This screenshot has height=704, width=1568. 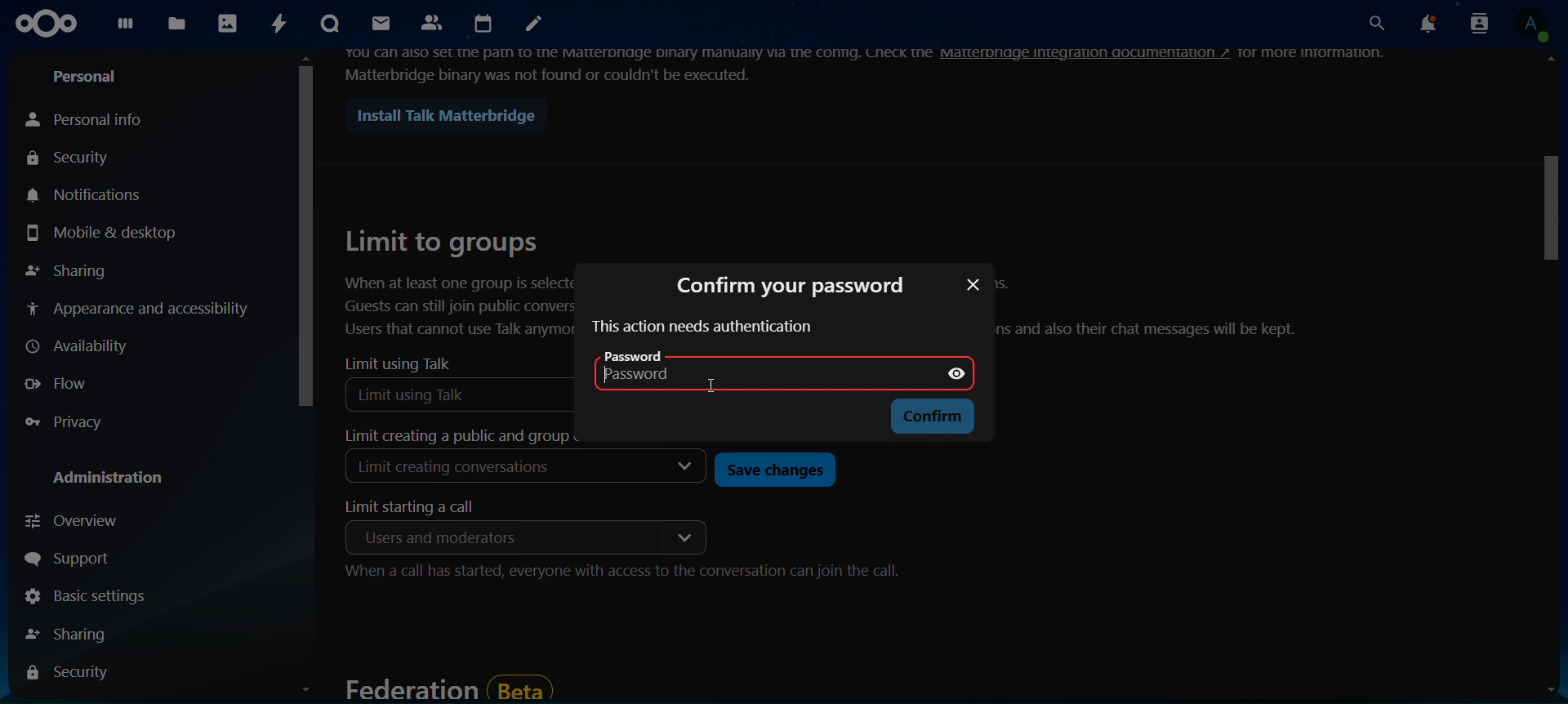 I want to click on input password, so click(x=742, y=380).